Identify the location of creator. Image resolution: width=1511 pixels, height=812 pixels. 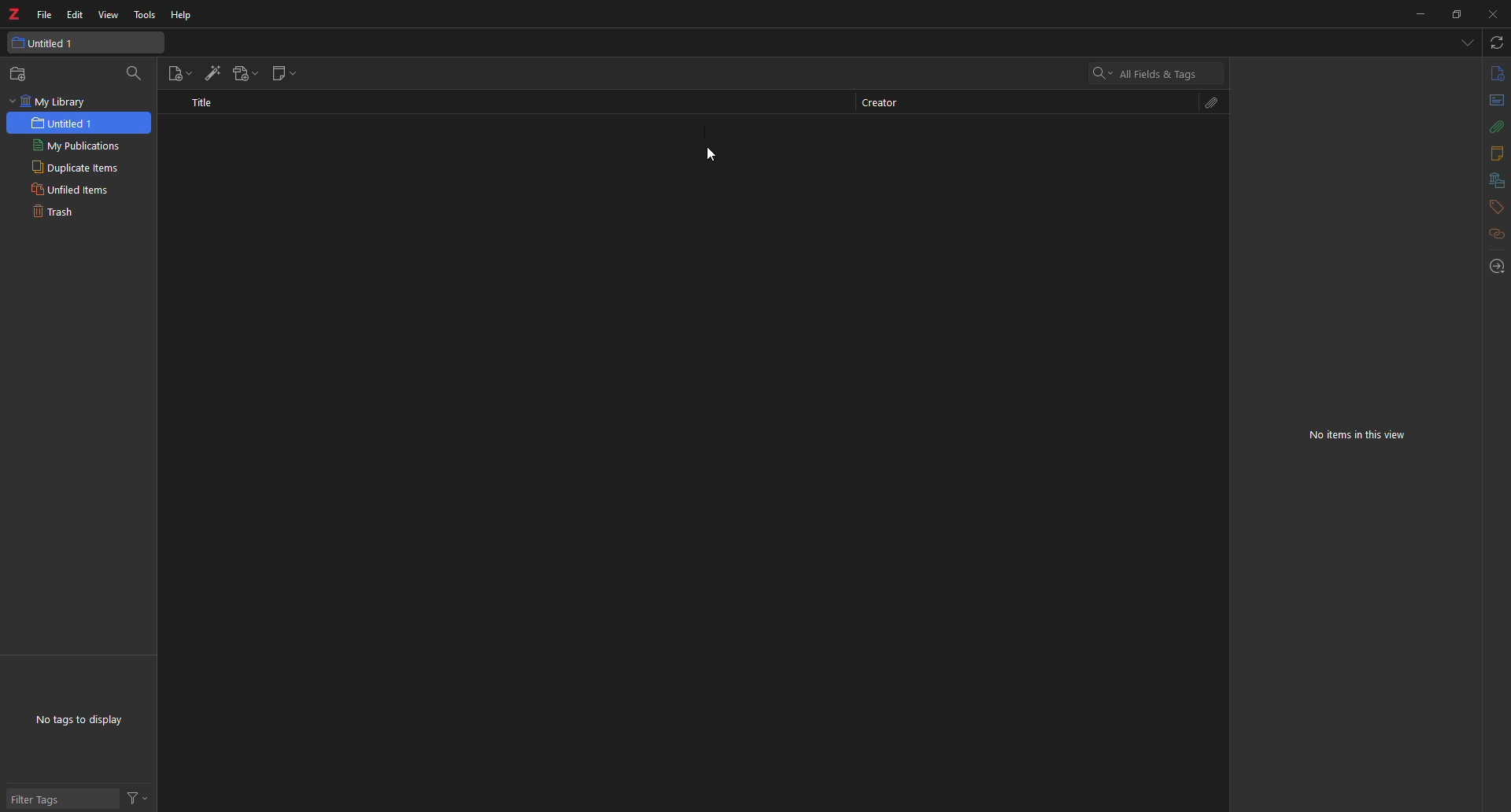
(881, 101).